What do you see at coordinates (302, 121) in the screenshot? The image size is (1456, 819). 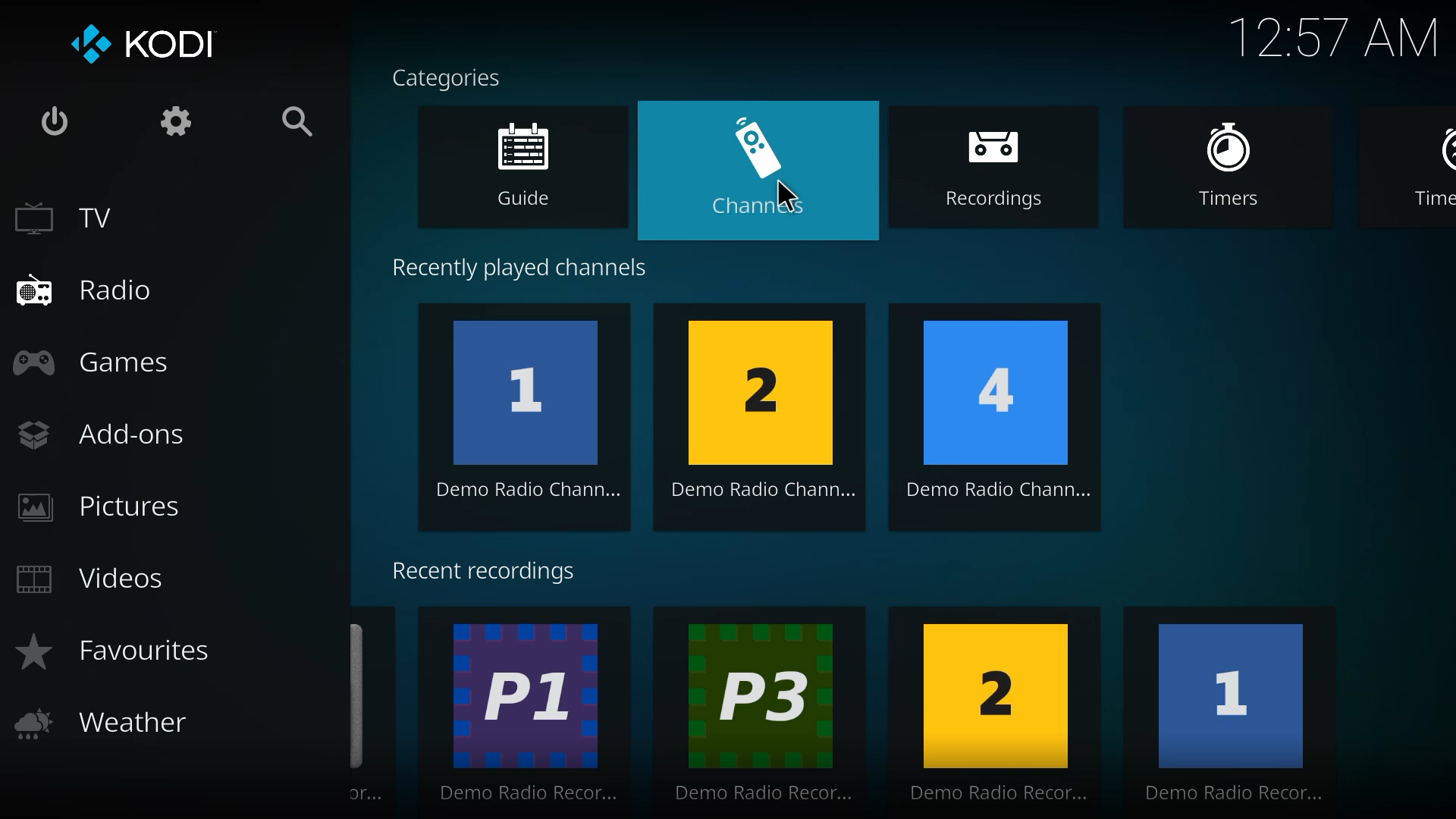 I see `search` at bounding box center [302, 121].